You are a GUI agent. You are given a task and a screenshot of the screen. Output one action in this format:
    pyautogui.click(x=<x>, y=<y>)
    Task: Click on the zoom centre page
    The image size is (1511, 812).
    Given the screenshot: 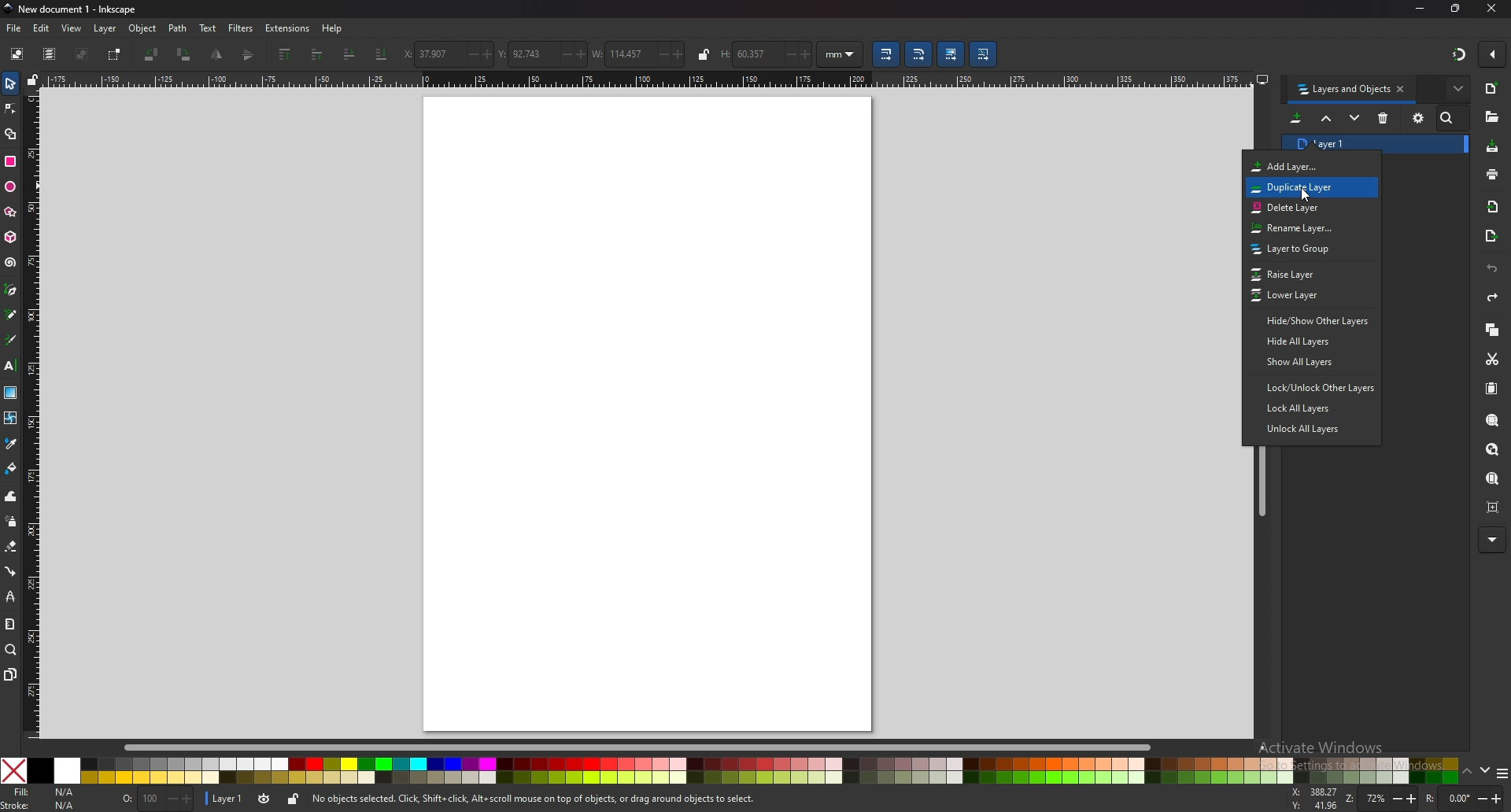 What is the action you would take?
    pyautogui.click(x=1494, y=507)
    